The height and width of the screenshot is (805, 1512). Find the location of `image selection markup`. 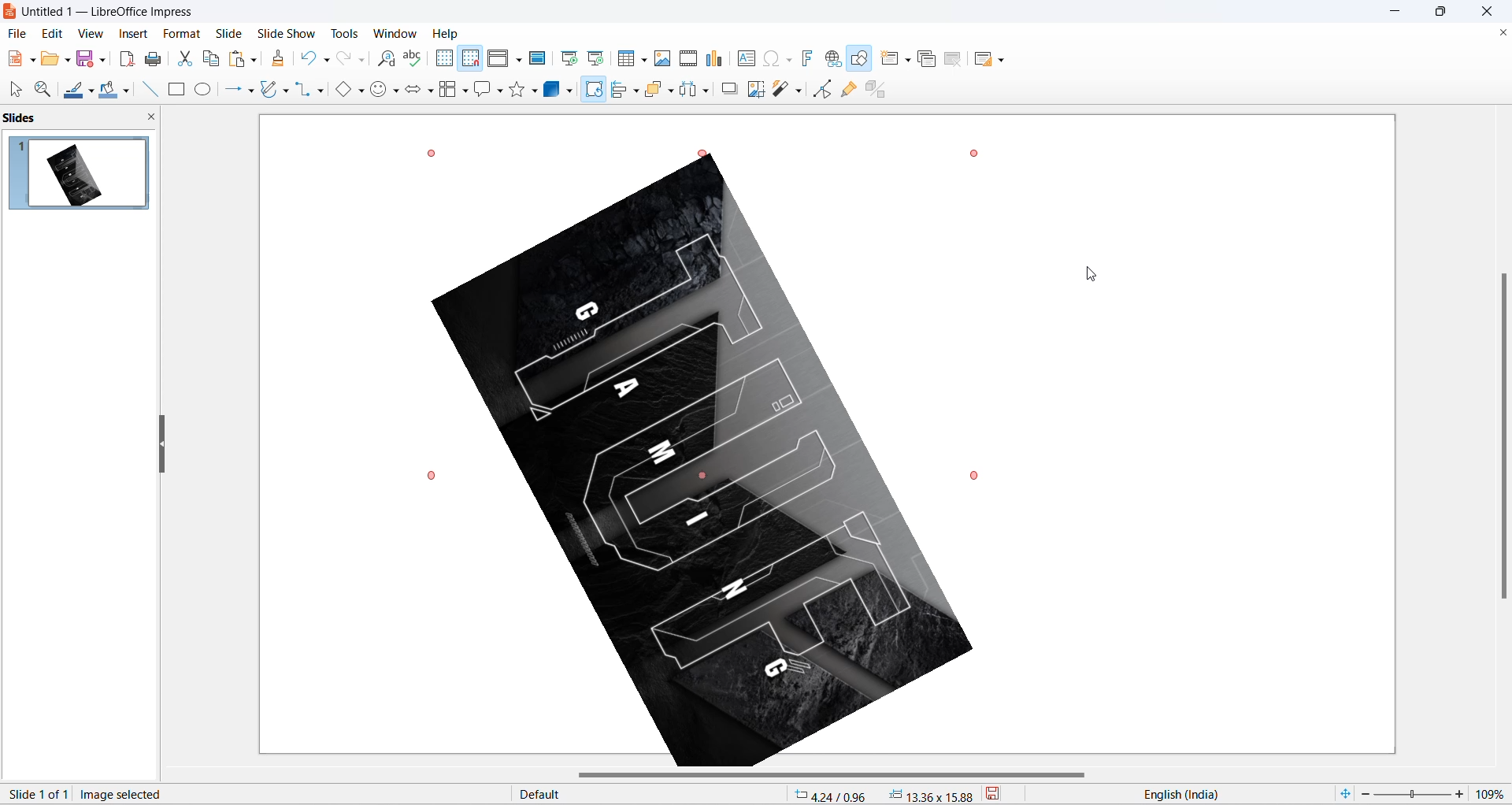

image selection markup is located at coordinates (979, 152).